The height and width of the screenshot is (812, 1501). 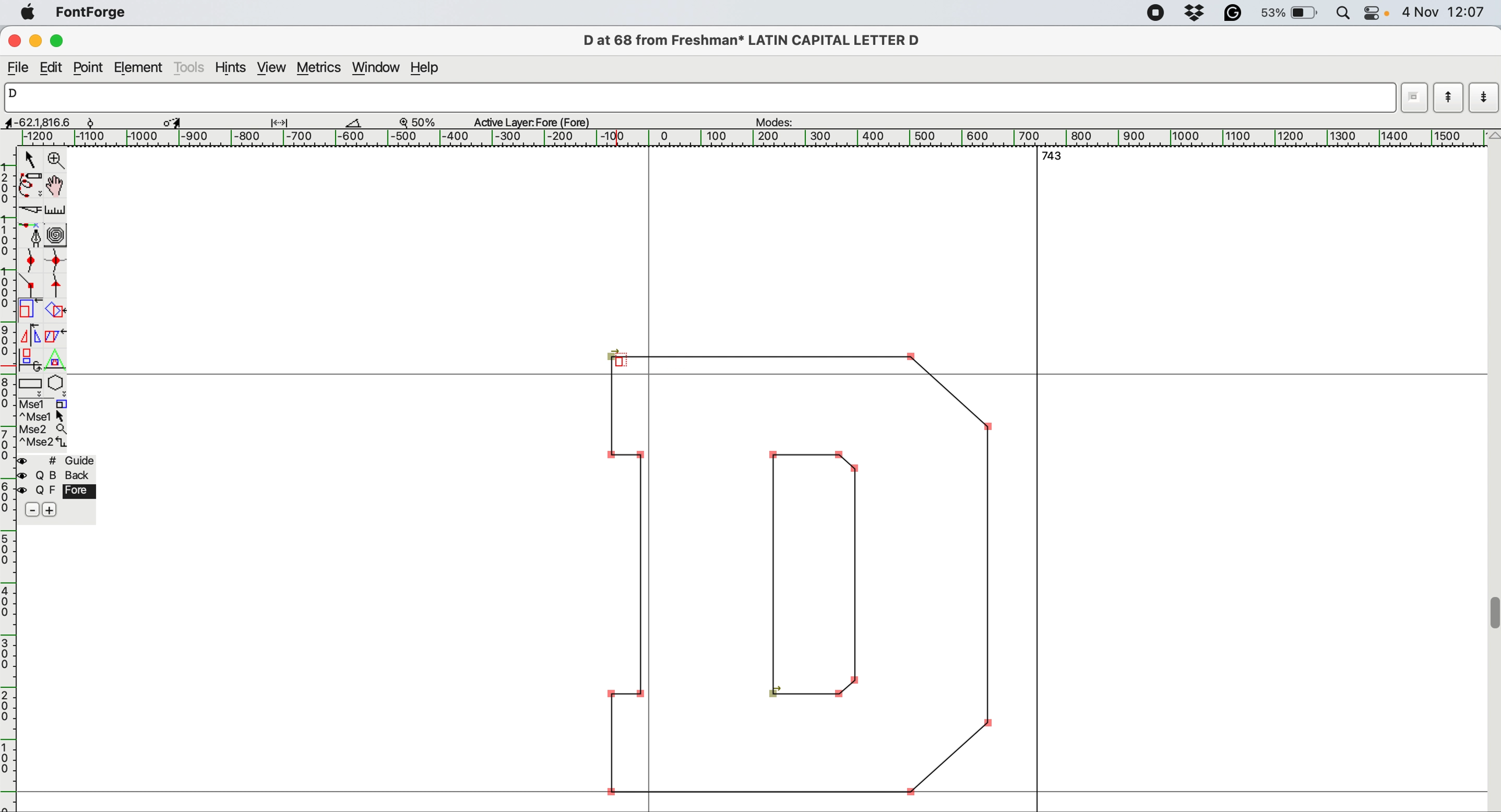 I want to click on rotate selection in 3d, so click(x=28, y=359).